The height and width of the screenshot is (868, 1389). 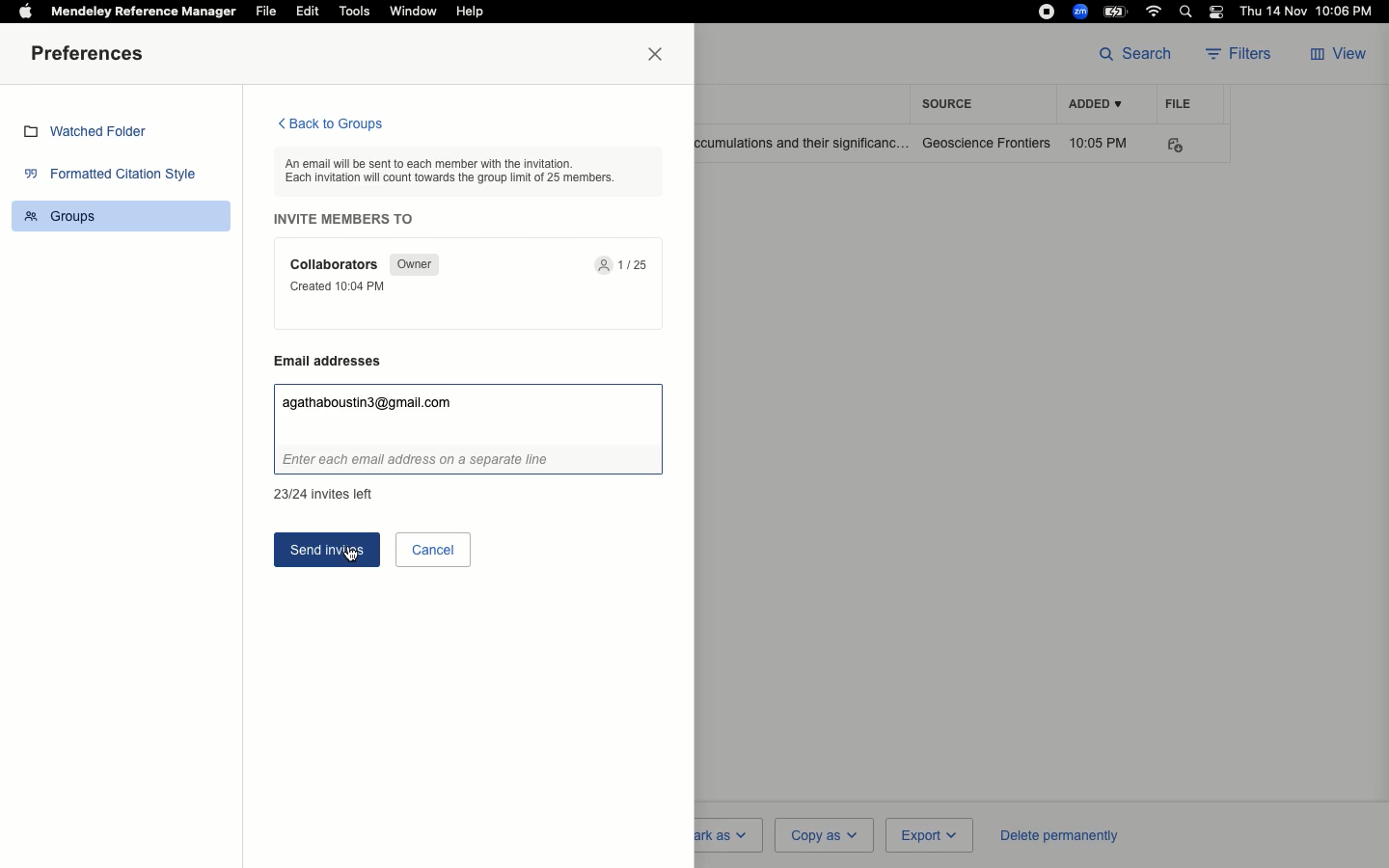 What do you see at coordinates (823, 834) in the screenshot?
I see `Copy as` at bounding box center [823, 834].